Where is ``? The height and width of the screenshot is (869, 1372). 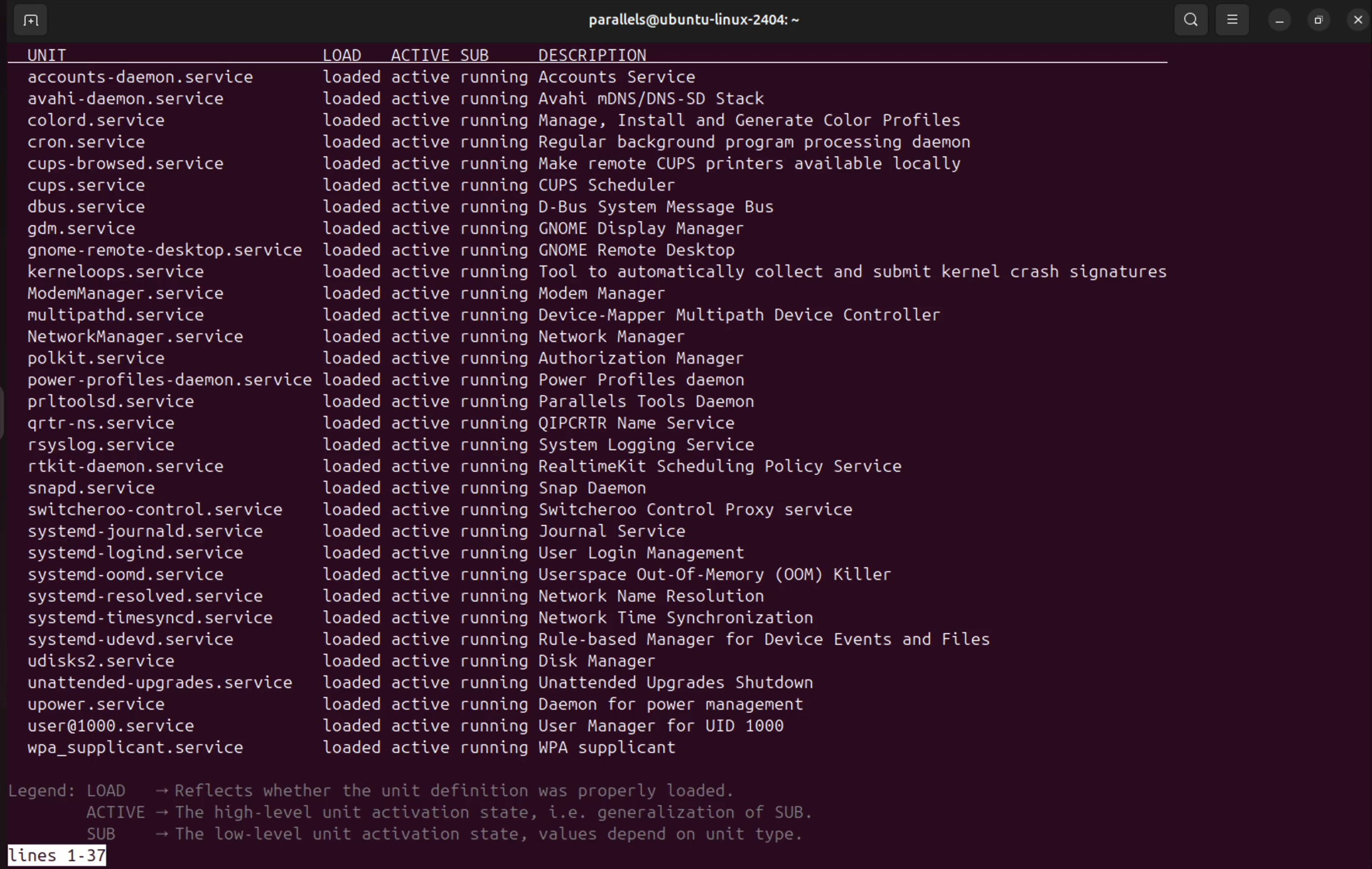  is located at coordinates (134, 749).